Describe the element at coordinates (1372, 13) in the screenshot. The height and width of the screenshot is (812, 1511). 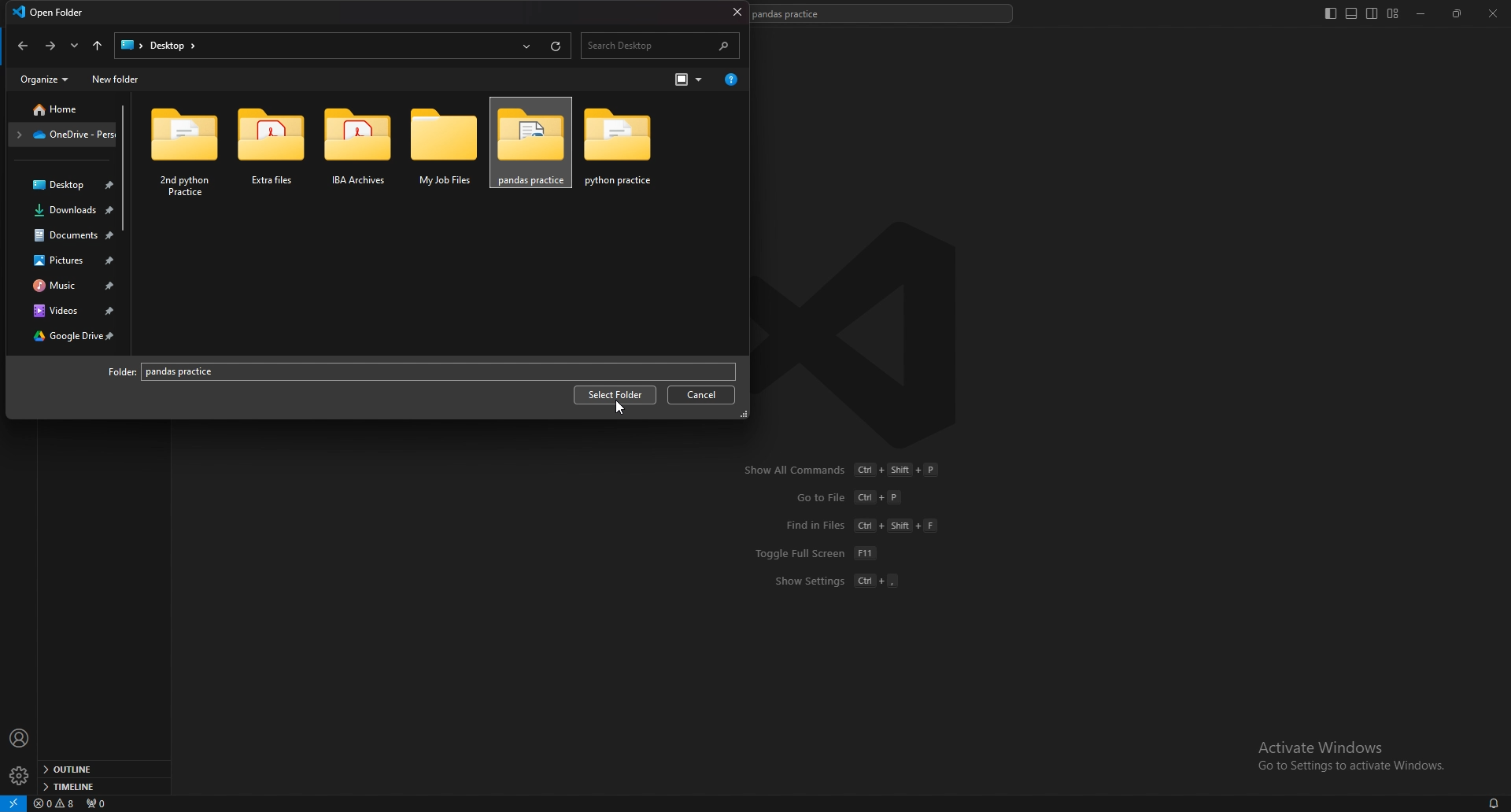
I see `toggle secondary side bar` at that location.